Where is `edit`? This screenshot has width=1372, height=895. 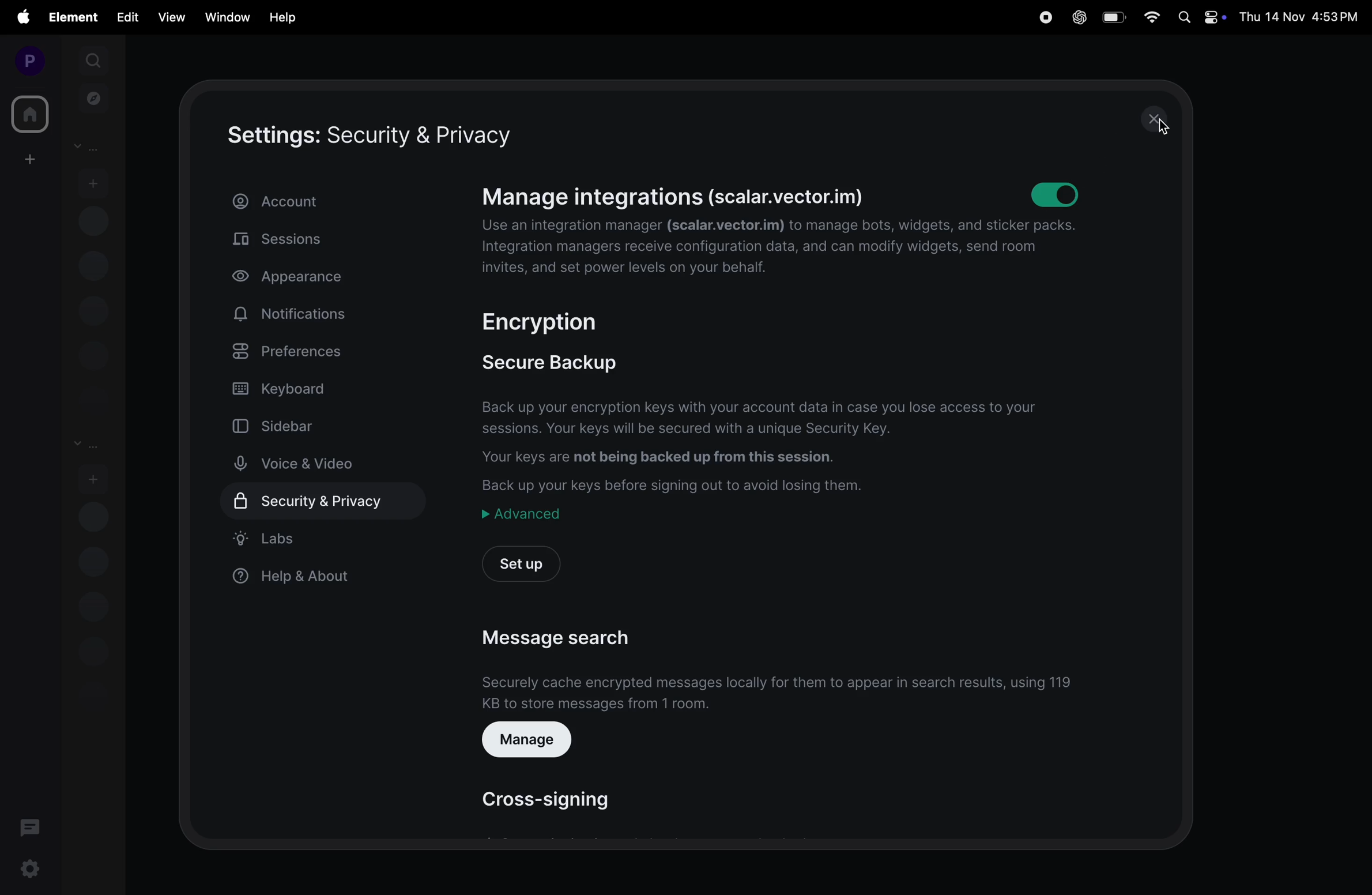
edit is located at coordinates (124, 19).